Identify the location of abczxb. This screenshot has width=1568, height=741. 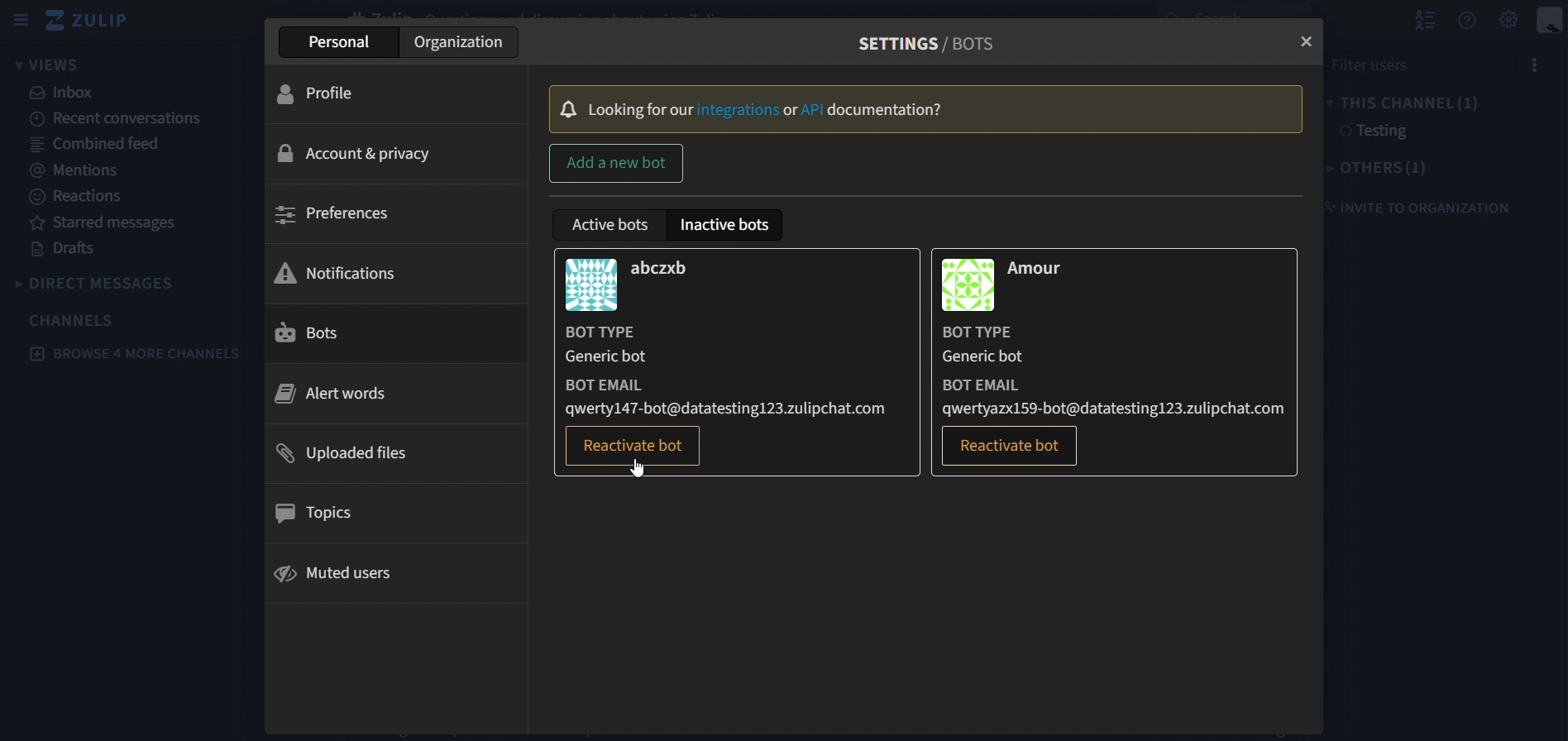
(666, 268).